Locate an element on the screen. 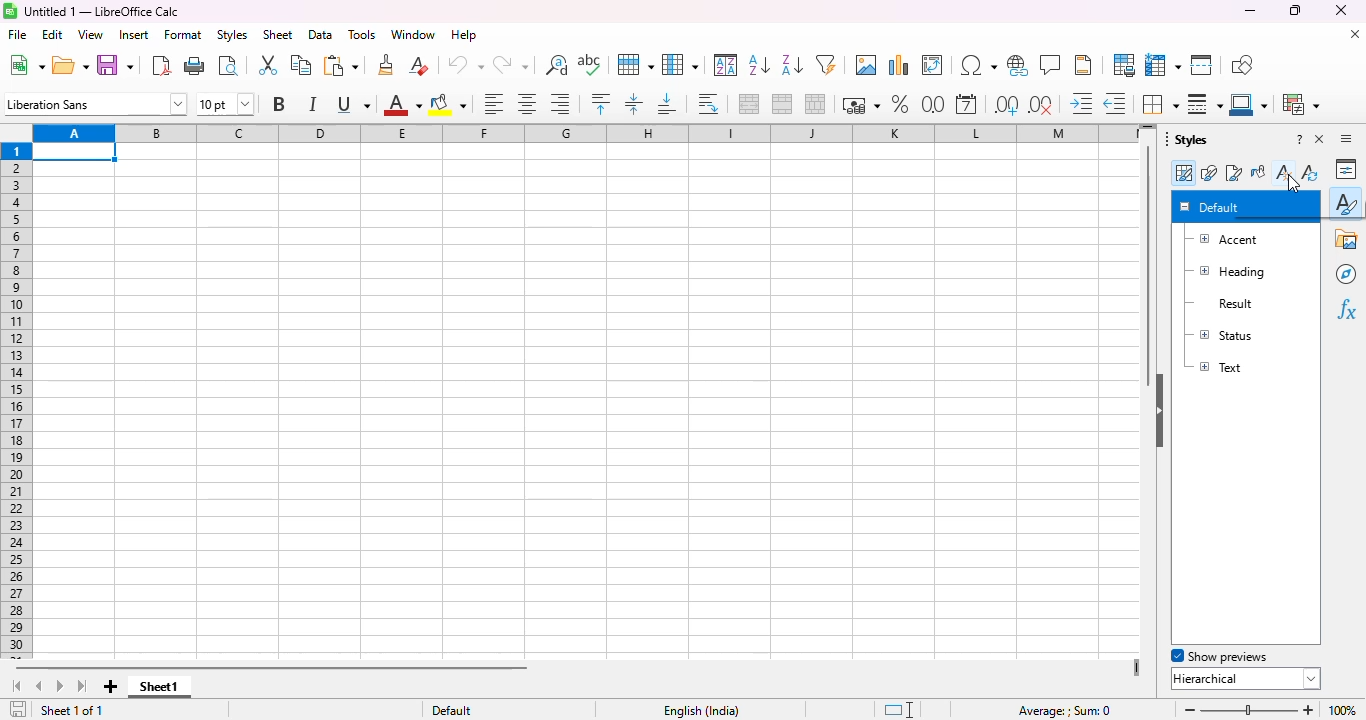 Image resolution: width=1366 pixels, height=720 pixels. insert image is located at coordinates (867, 65).